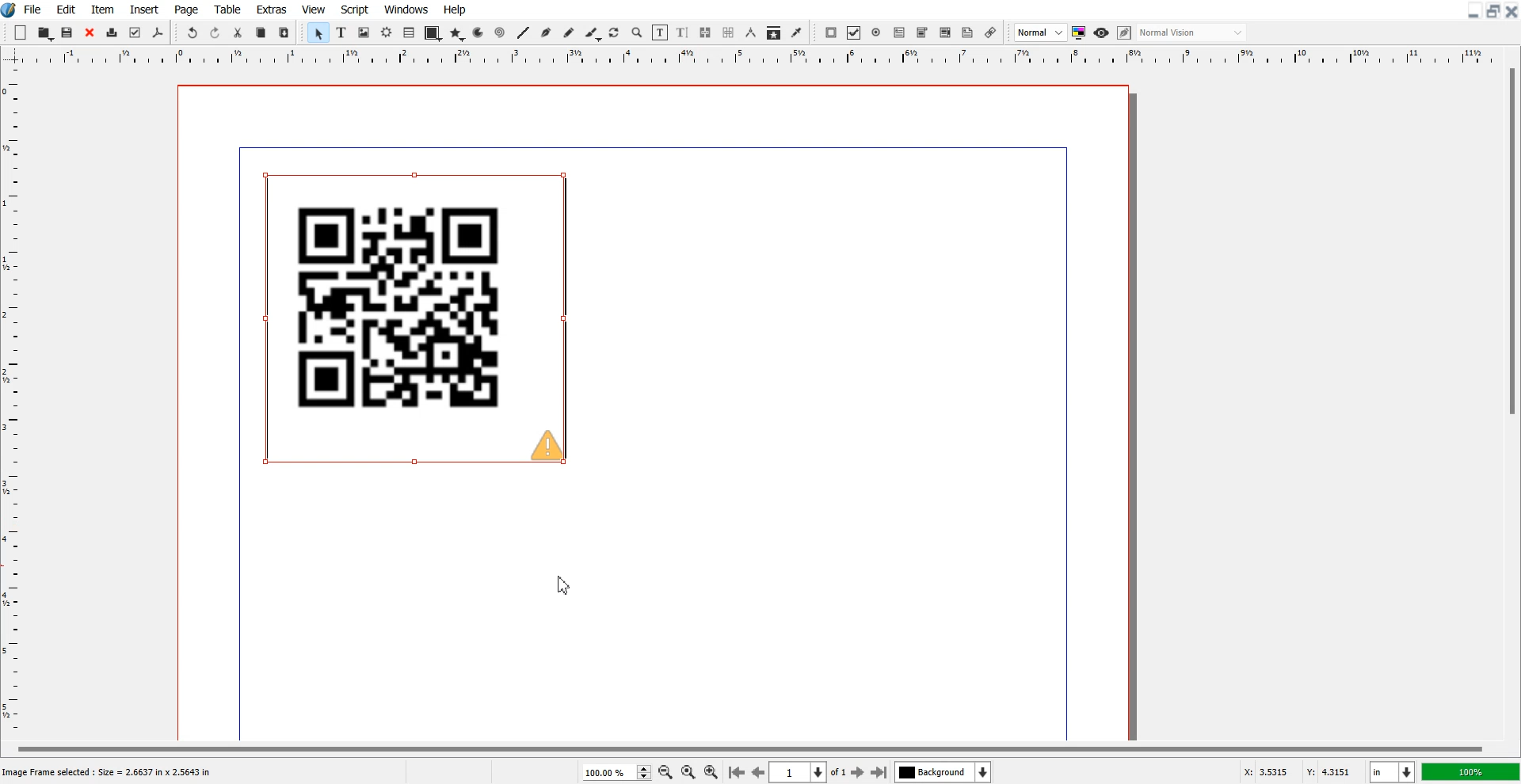 This screenshot has width=1521, height=784. Describe the element at coordinates (318, 33) in the screenshot. I see `Select Item` at that location.